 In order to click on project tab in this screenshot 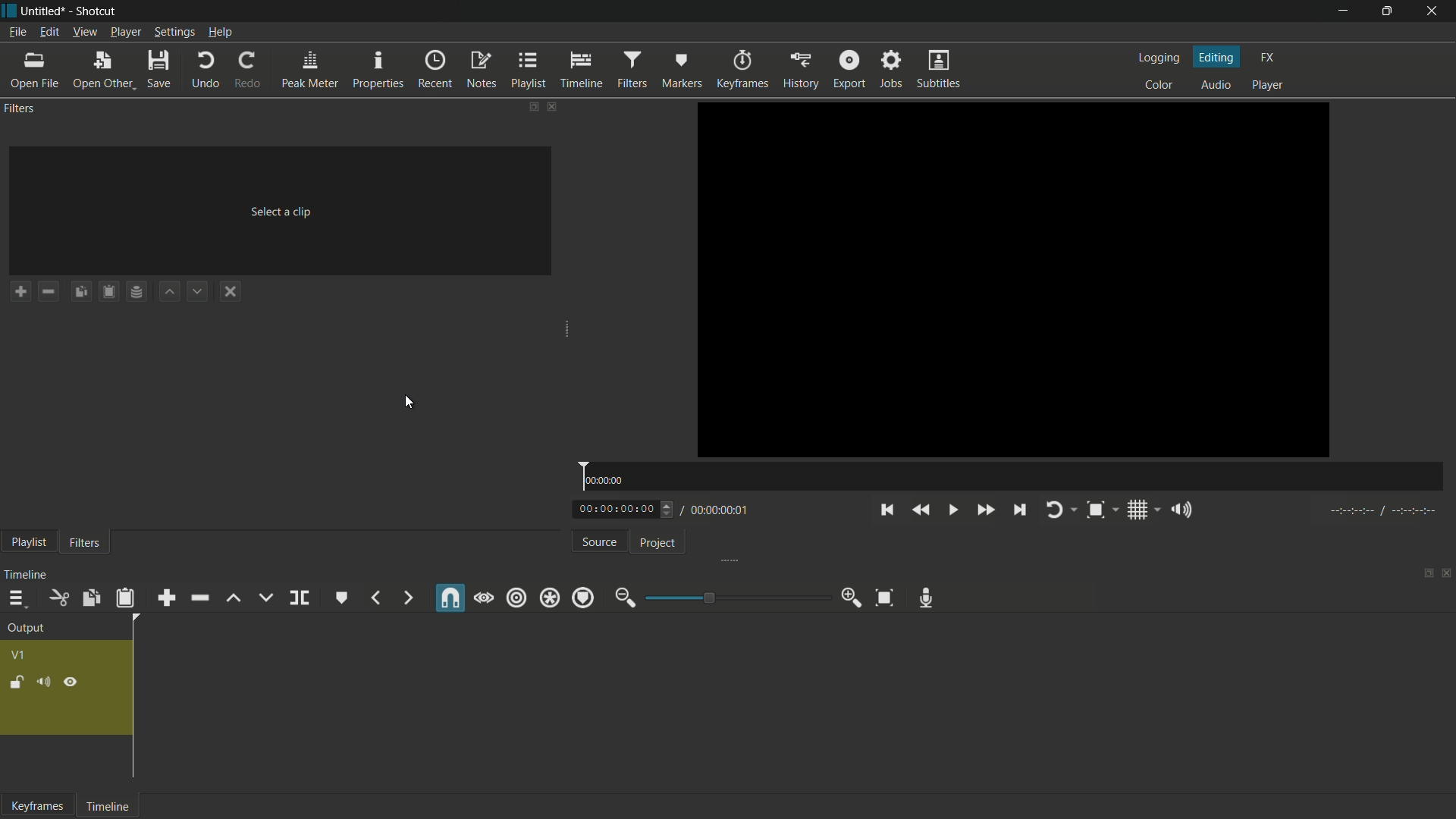, I will do `click(657, 544)`.